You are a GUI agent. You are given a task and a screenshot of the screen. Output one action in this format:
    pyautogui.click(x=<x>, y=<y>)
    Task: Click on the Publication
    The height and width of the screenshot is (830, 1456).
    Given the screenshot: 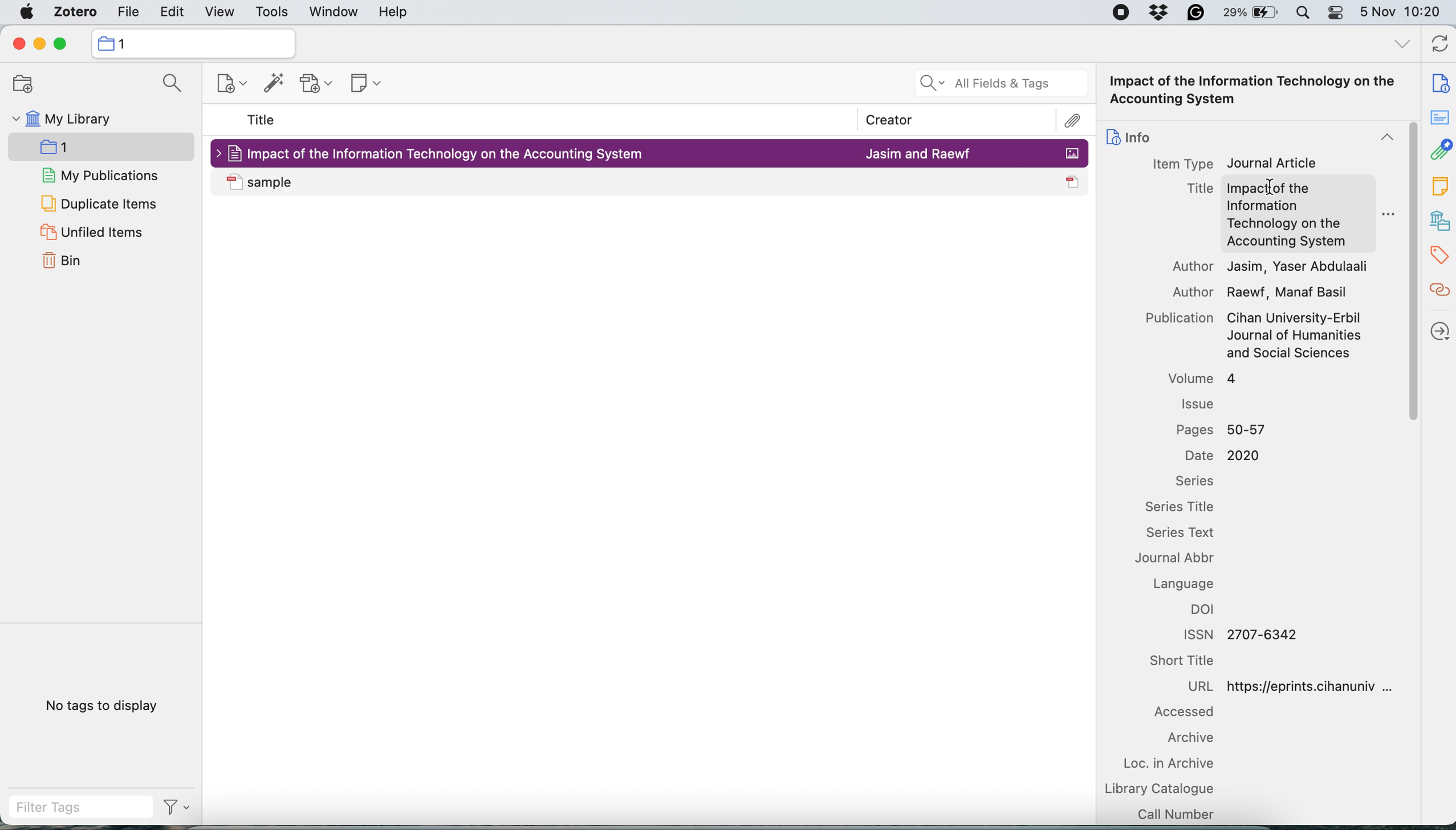 What is the action you would take?
    pyautogui.click(x=1181, y=318)
    